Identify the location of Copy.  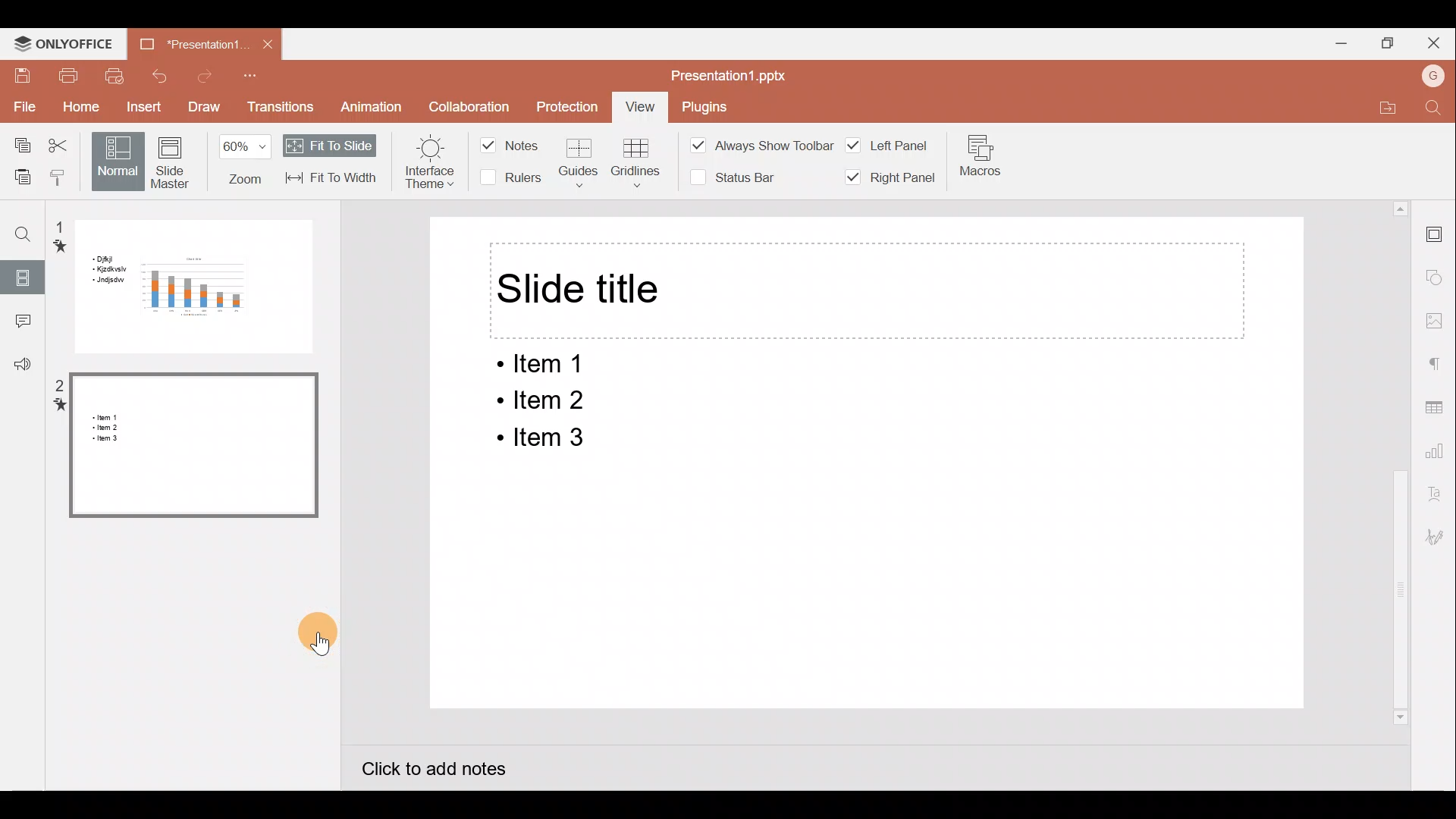
(17, 142).